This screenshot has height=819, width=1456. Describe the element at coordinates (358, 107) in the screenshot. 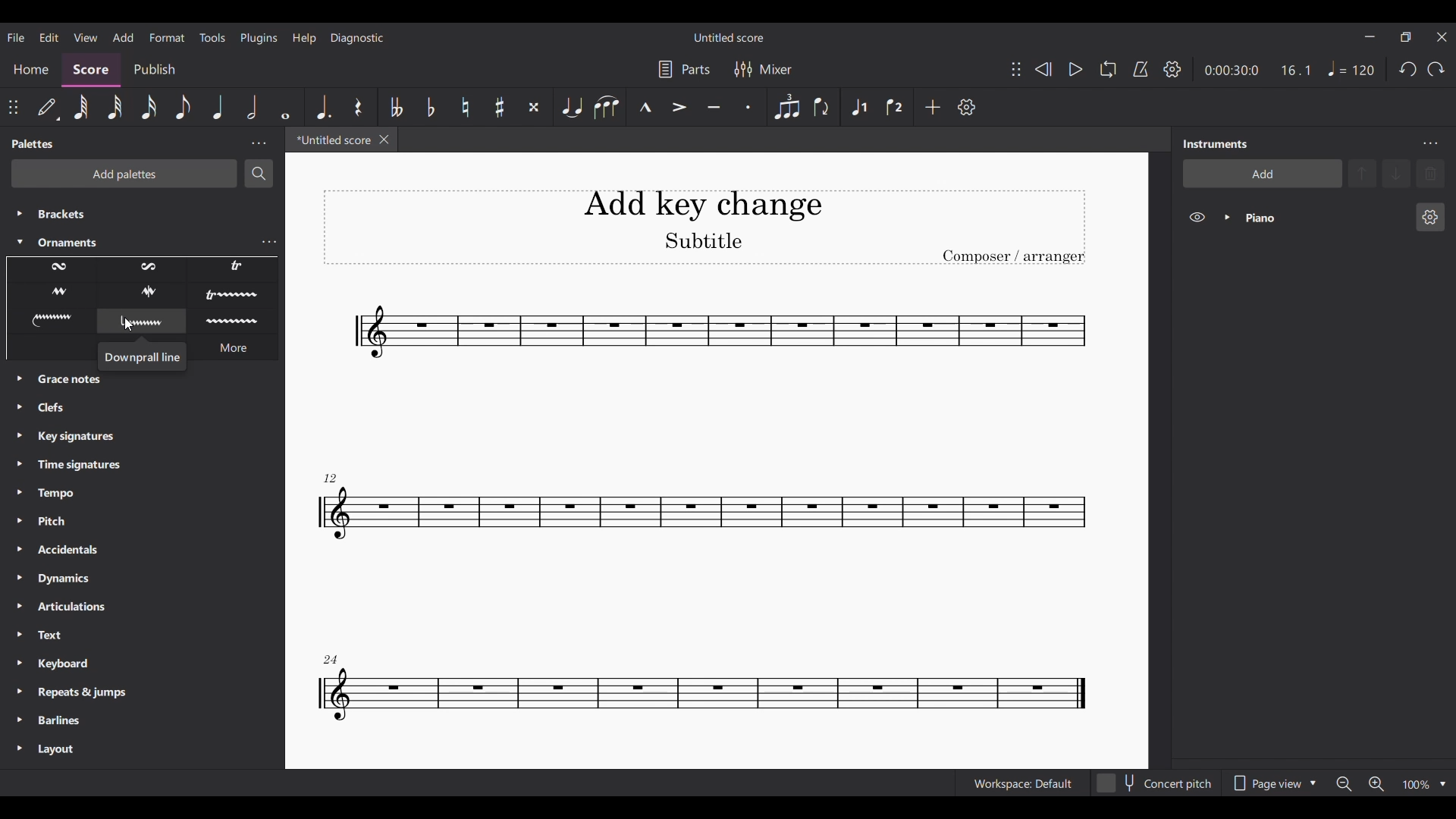

I see `Rest` at that location.